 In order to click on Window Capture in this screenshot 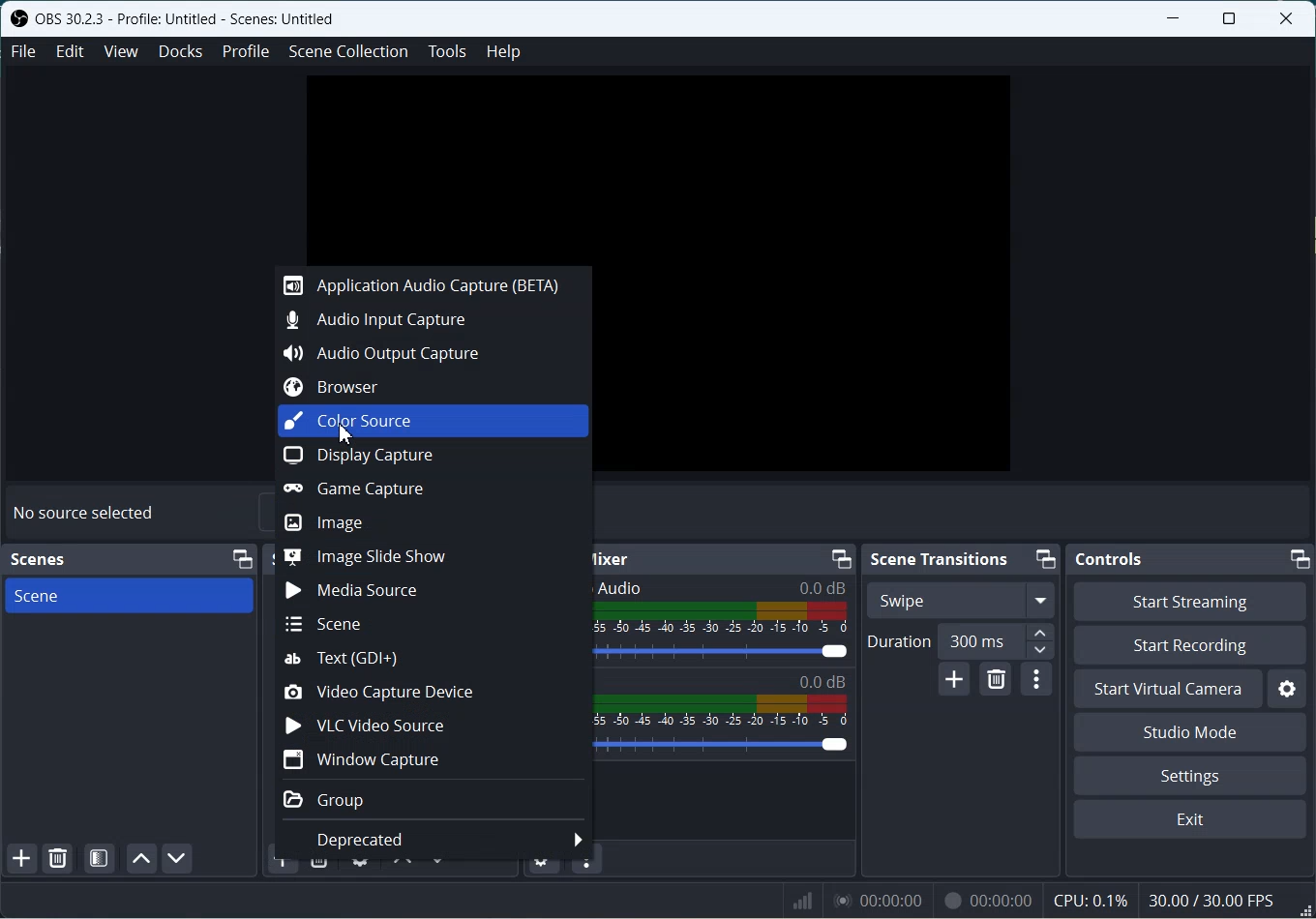, I will do `click(434, 759)`.